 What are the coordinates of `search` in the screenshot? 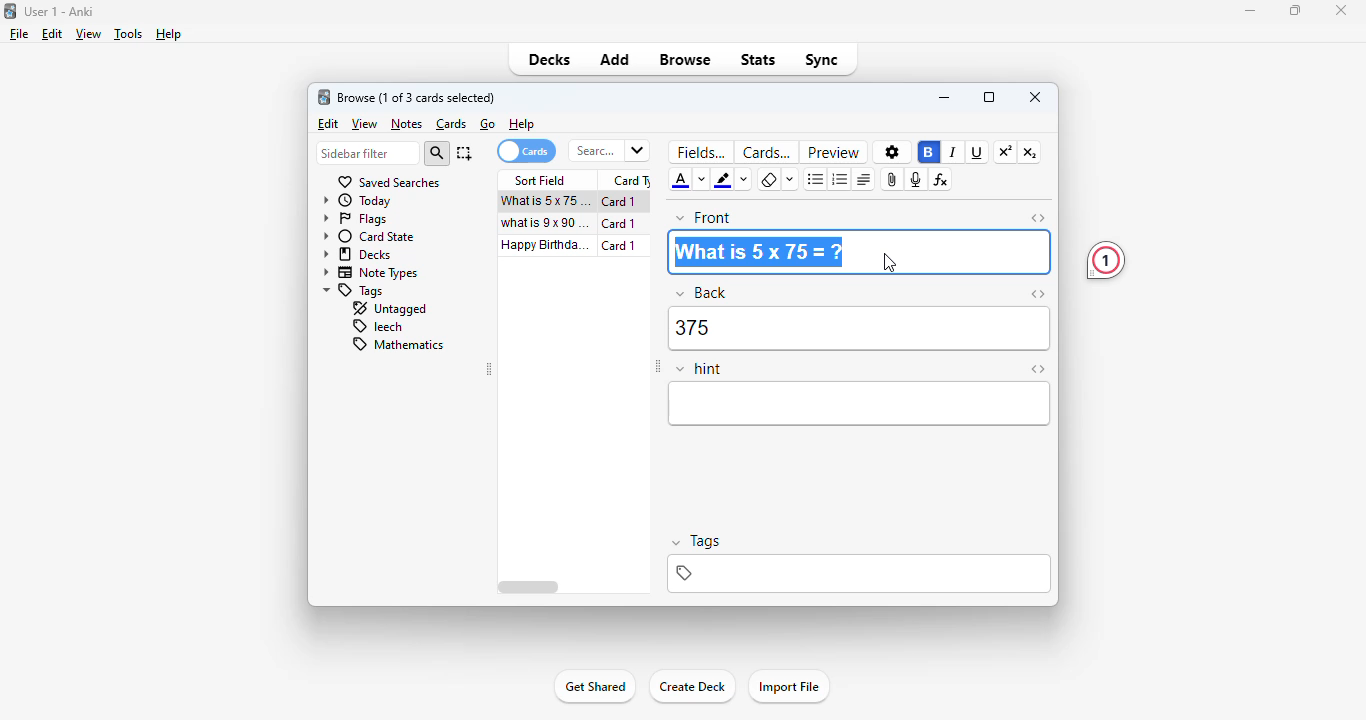 It's located at (610, 151).